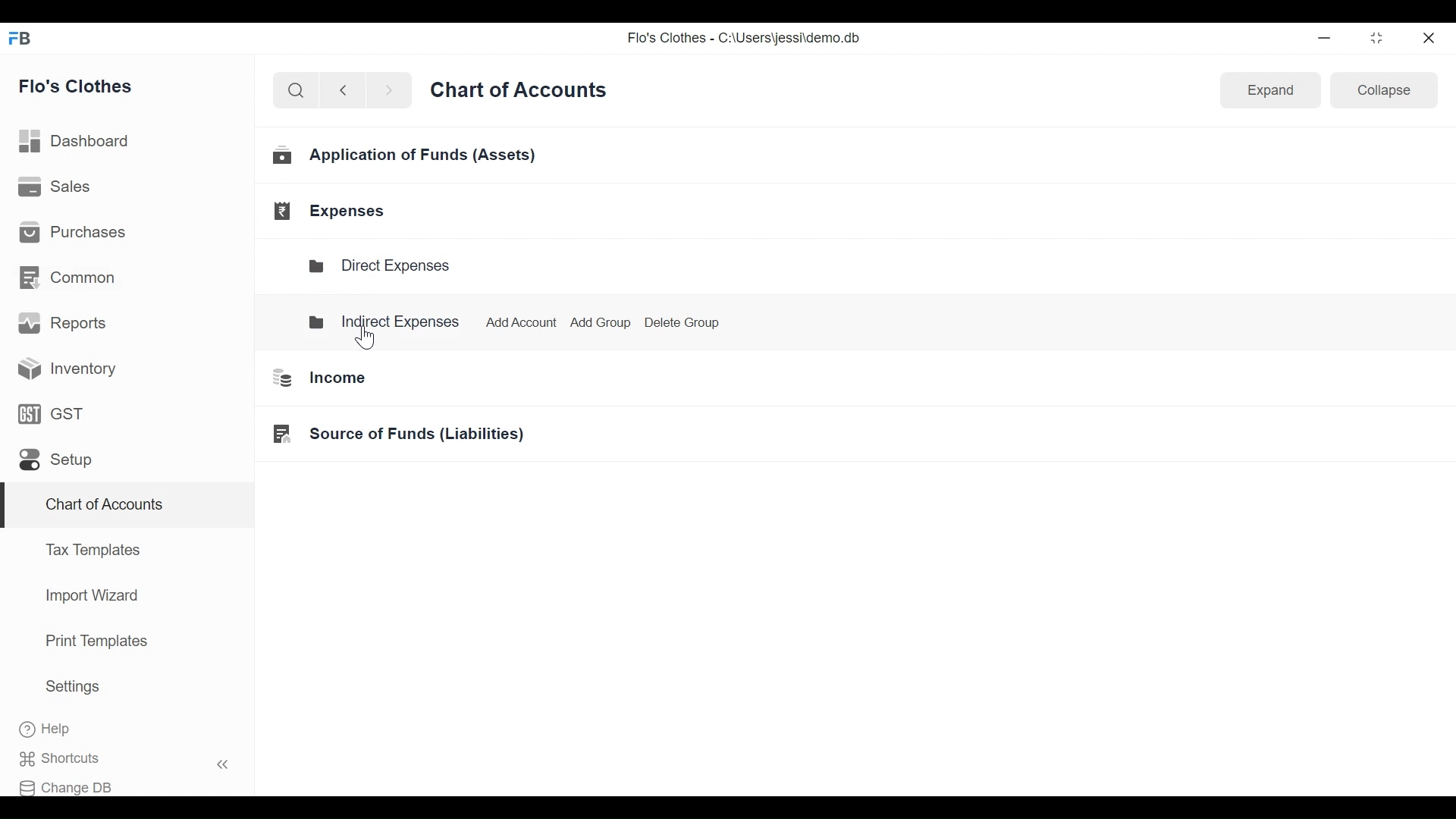 Image resolution: width=1456 pixels, height=819 pixels. What do you see at coordinates (1327, 38) in the screenshot?
I see `minimize` at bounding box center [1327, 38].